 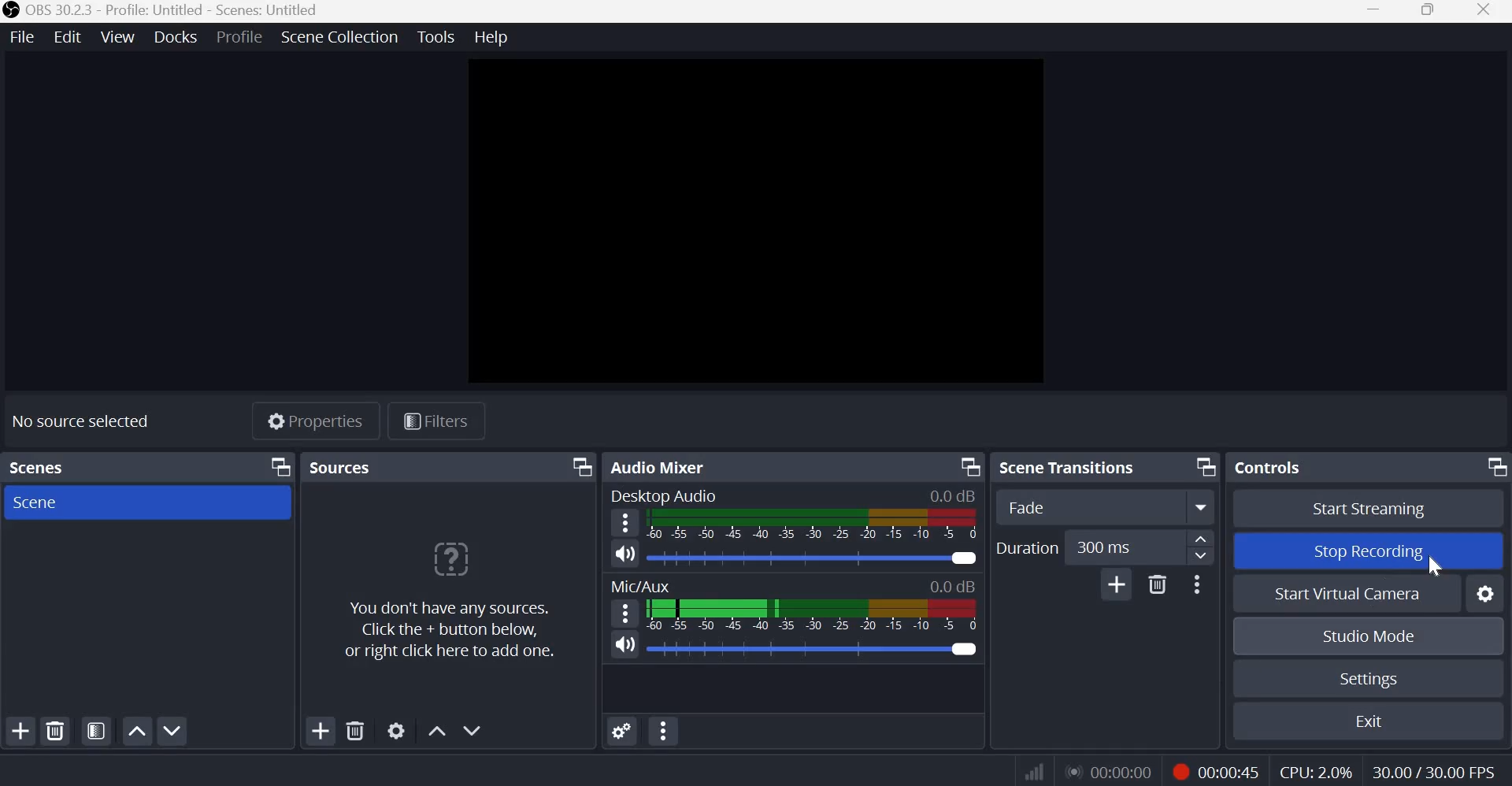 I want to click on You don't have any sources. Click the +button below, or right click here to add one, so click(x=446, y=604).